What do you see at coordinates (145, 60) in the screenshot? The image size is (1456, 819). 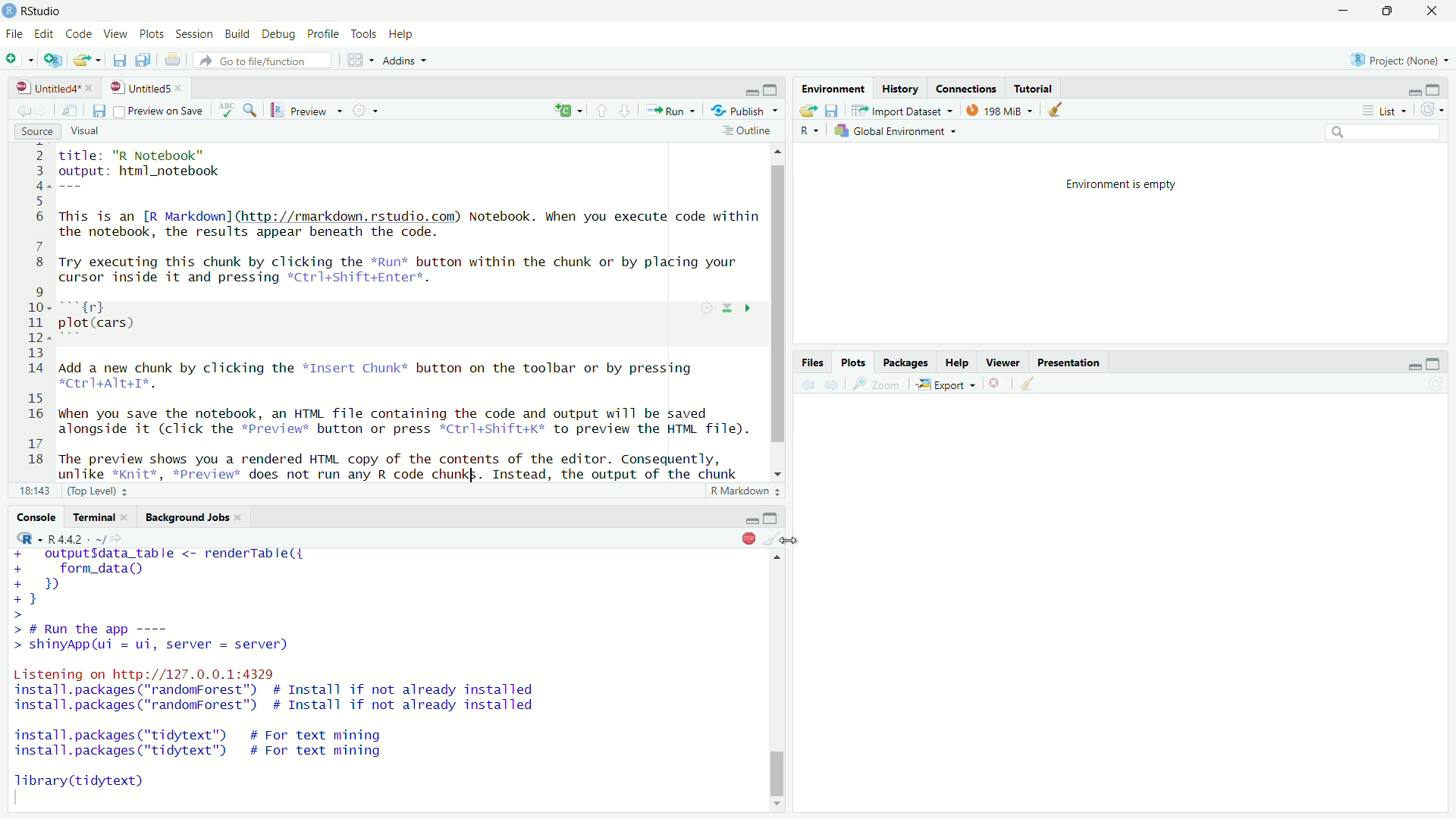 I see `save all open documents` at bounding box center [145, 60].